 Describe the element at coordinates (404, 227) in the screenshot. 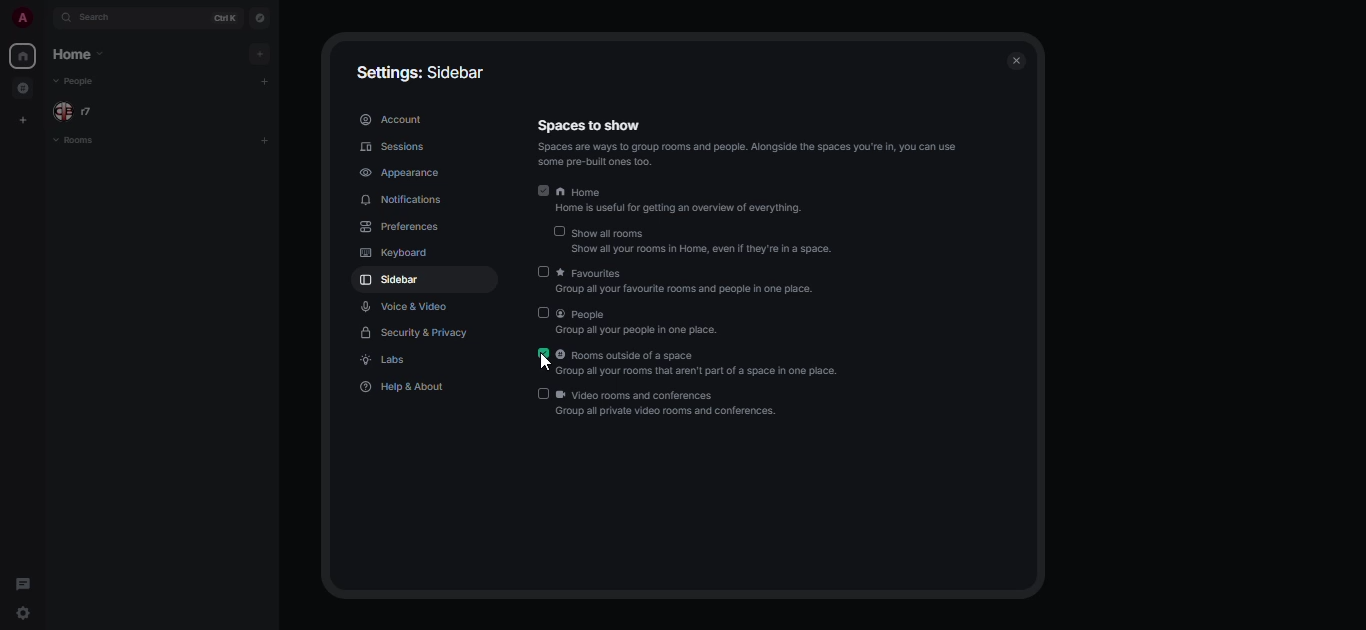

I see `preferences` at that location.